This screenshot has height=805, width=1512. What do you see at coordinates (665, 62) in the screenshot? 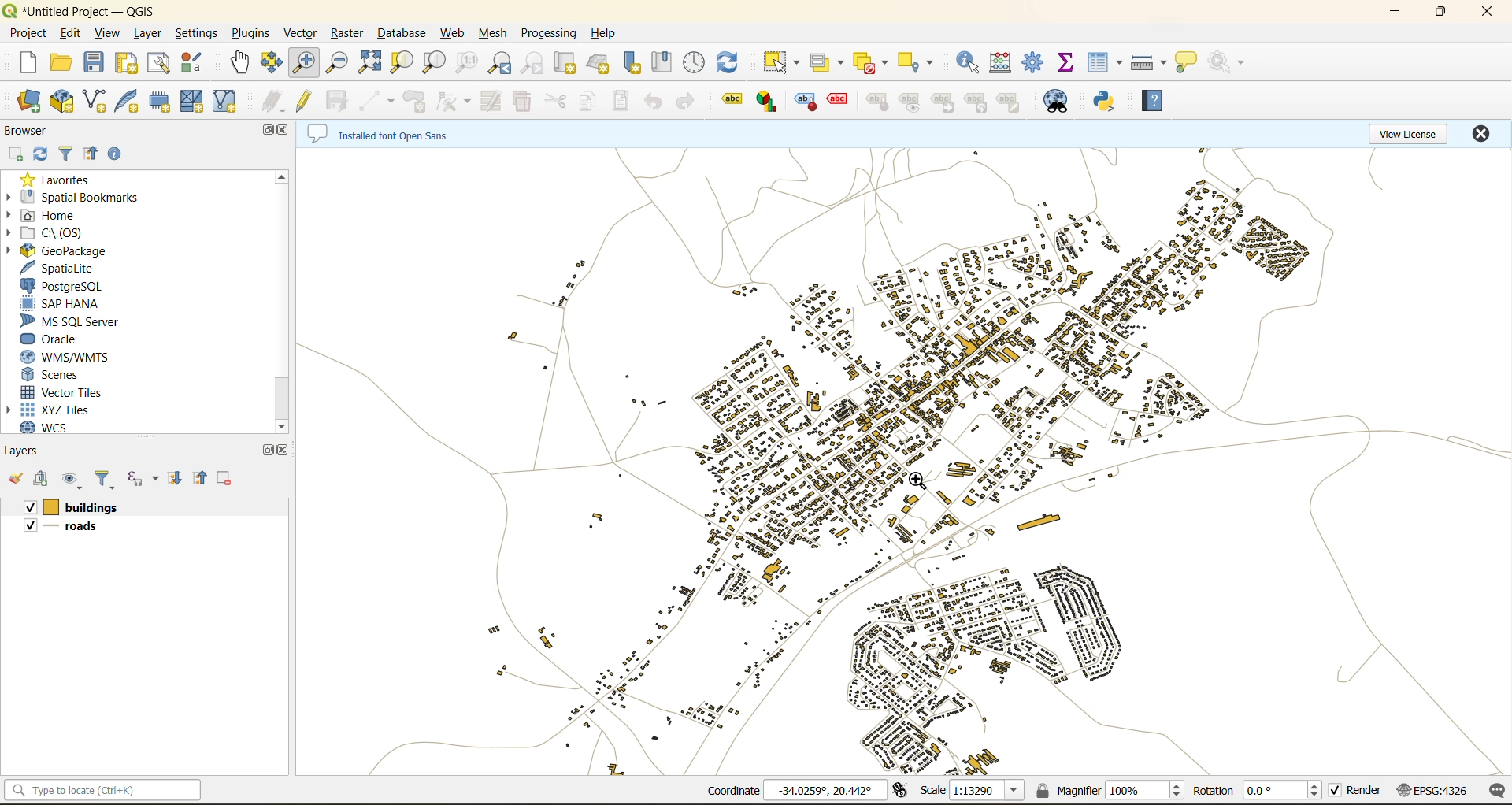
I see `show spatial bookmark` at bounding box center [665, 62].